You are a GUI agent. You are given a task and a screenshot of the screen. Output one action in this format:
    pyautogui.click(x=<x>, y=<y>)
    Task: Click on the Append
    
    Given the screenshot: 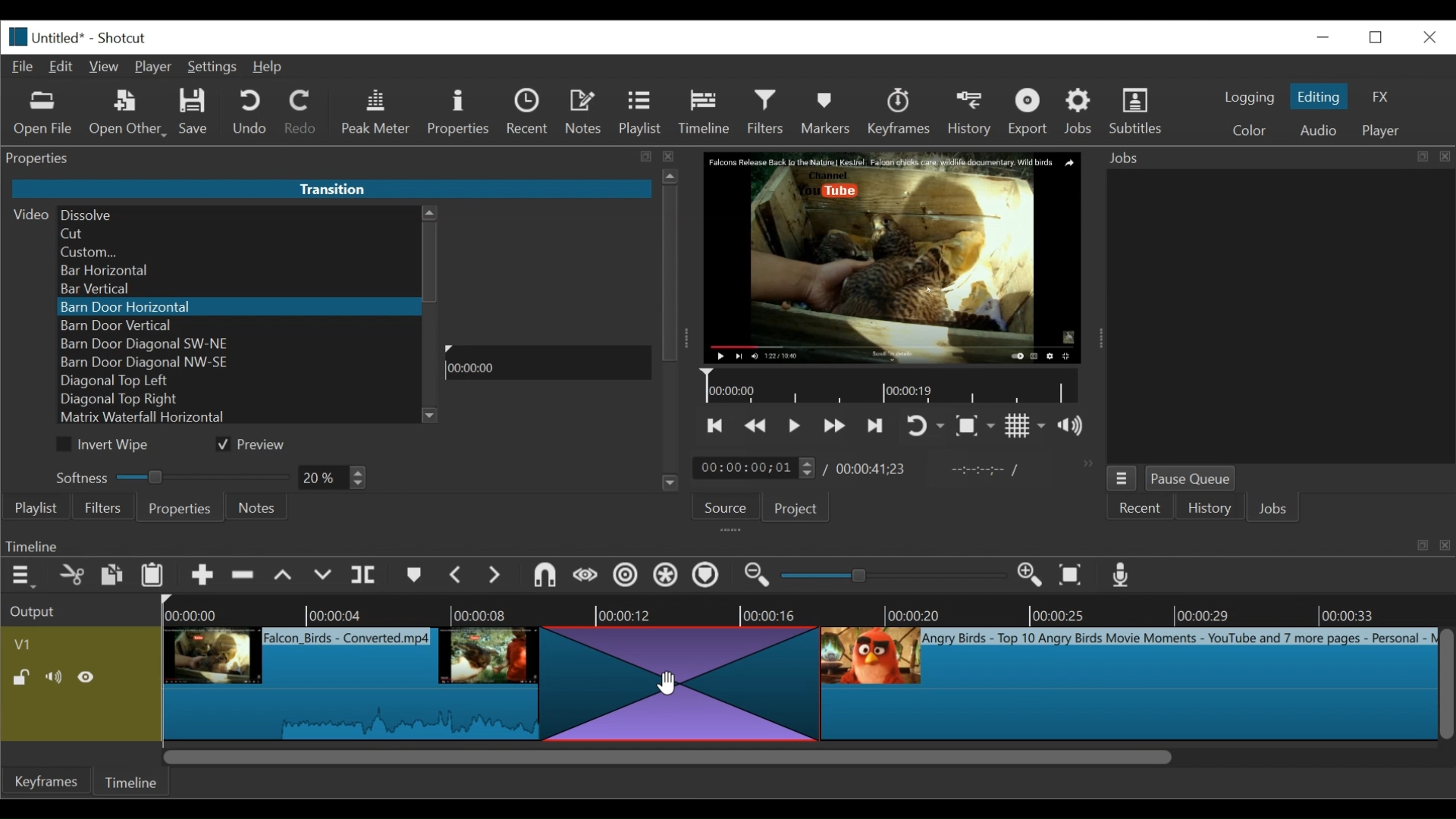 What is the action you would take?
    pyautogui.click(x=202, y=576)
    